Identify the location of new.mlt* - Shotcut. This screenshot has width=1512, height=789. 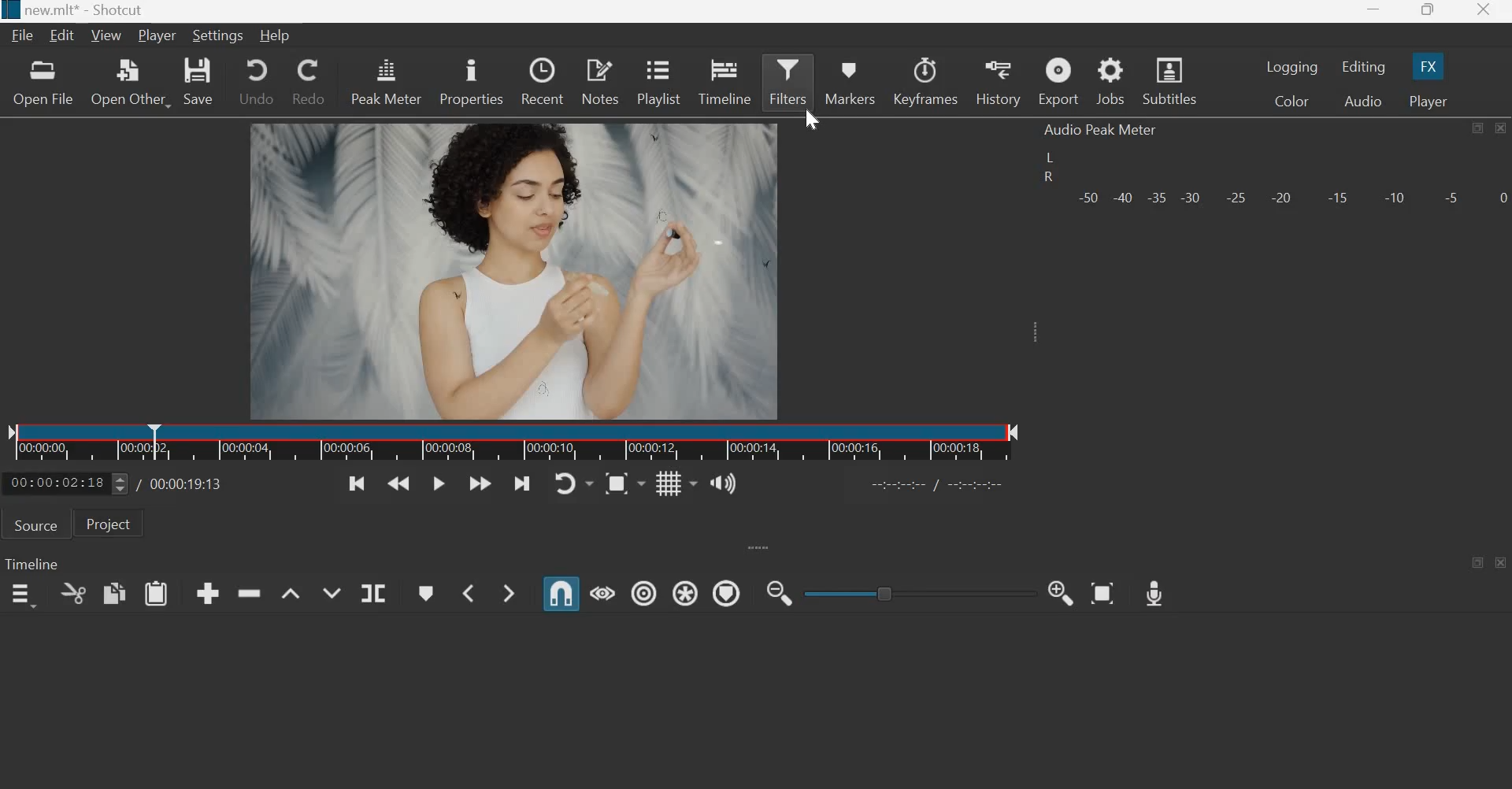
(80, 9).